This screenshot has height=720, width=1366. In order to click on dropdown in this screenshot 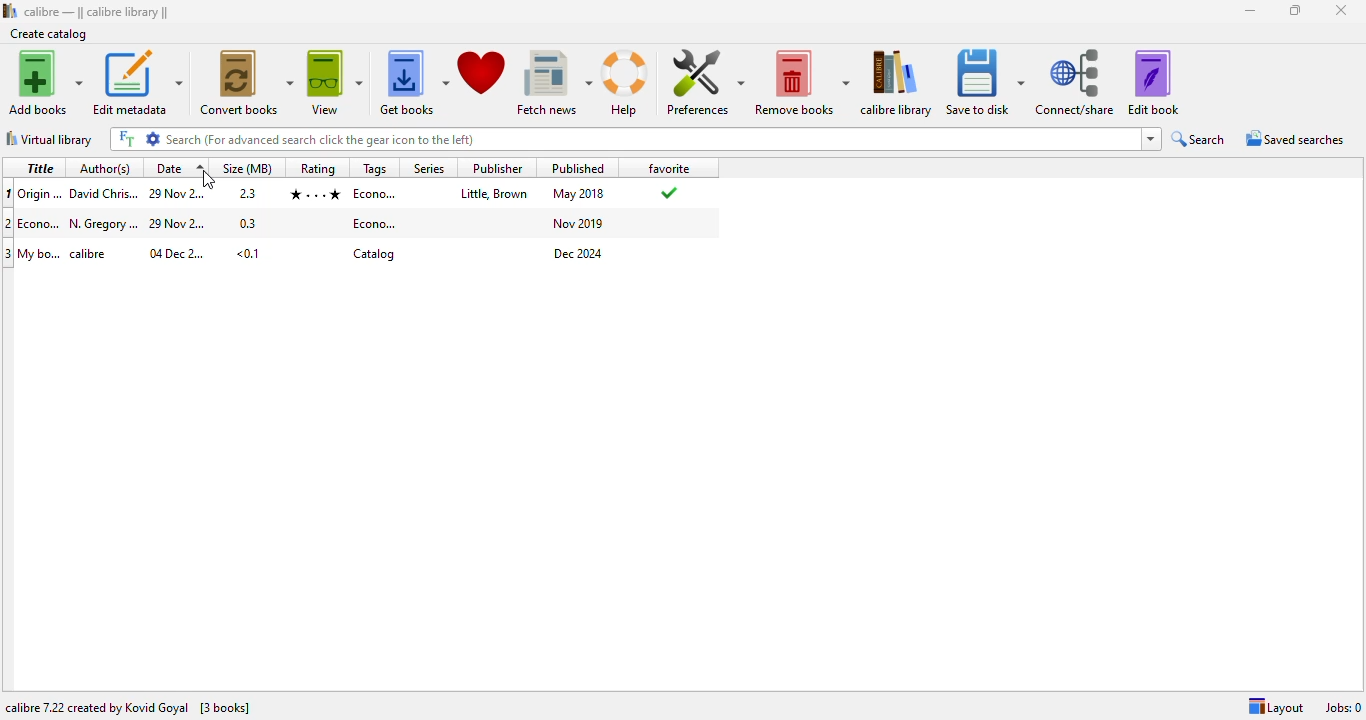, I will do `click(1151, 139)`.